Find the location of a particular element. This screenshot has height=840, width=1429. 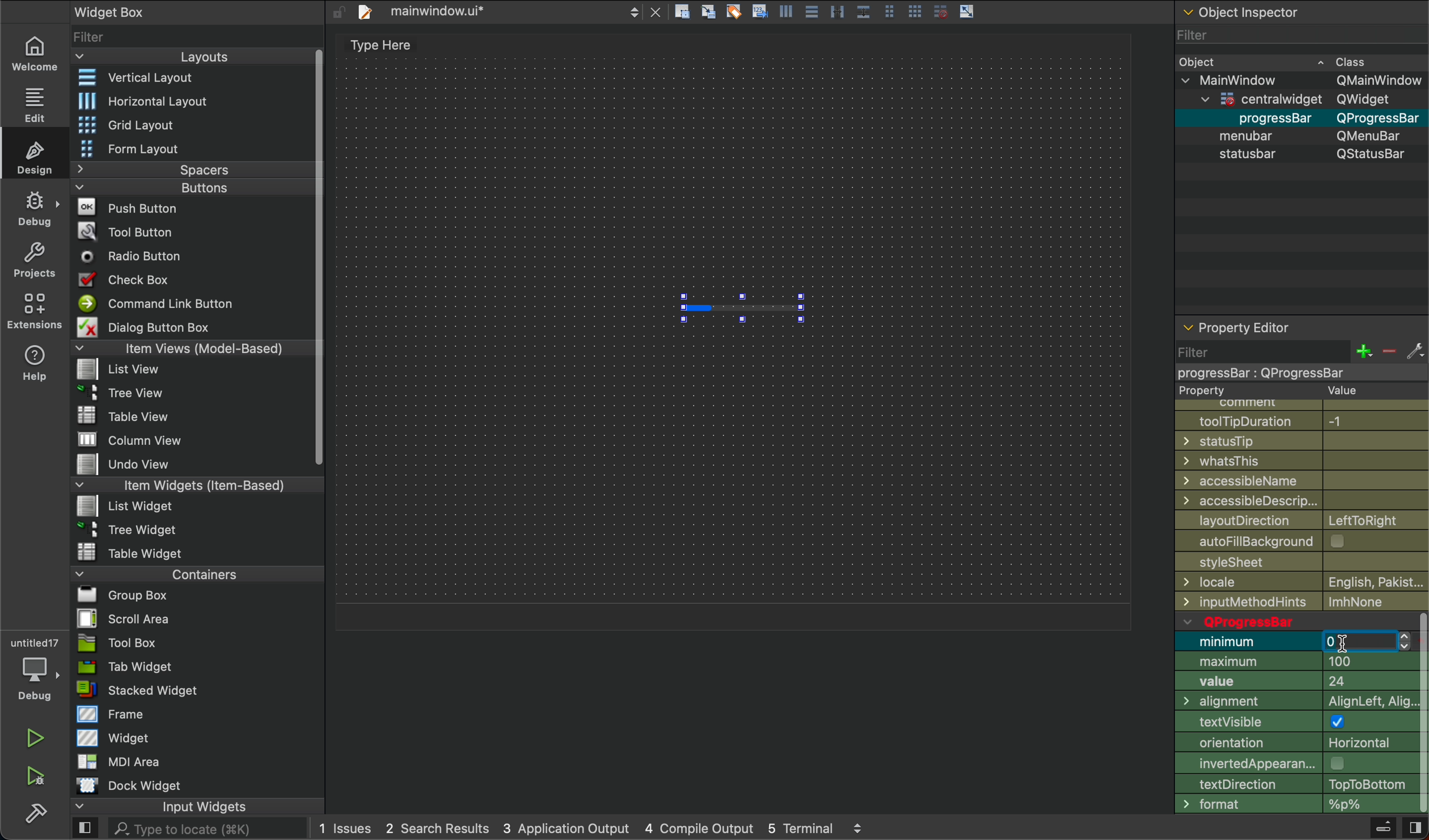

filter is located at coordinates (1299, 360).